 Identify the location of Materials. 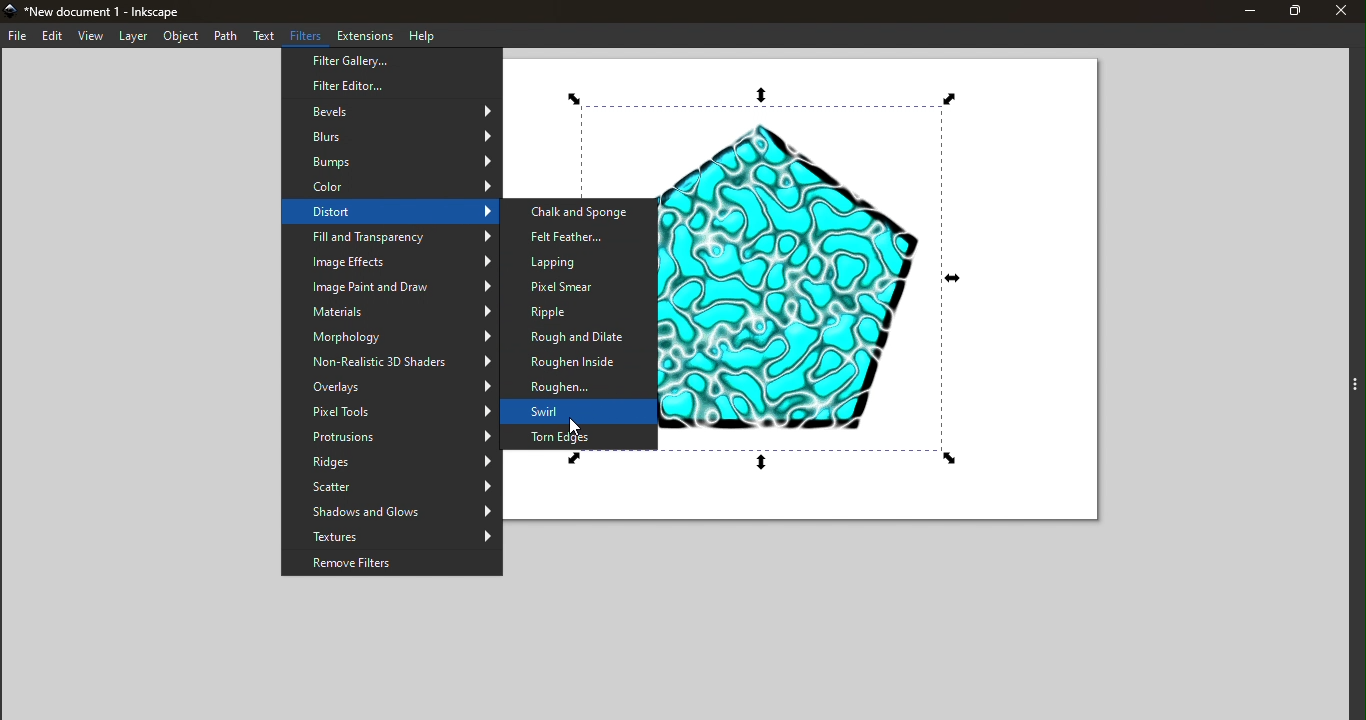
(389, 313).